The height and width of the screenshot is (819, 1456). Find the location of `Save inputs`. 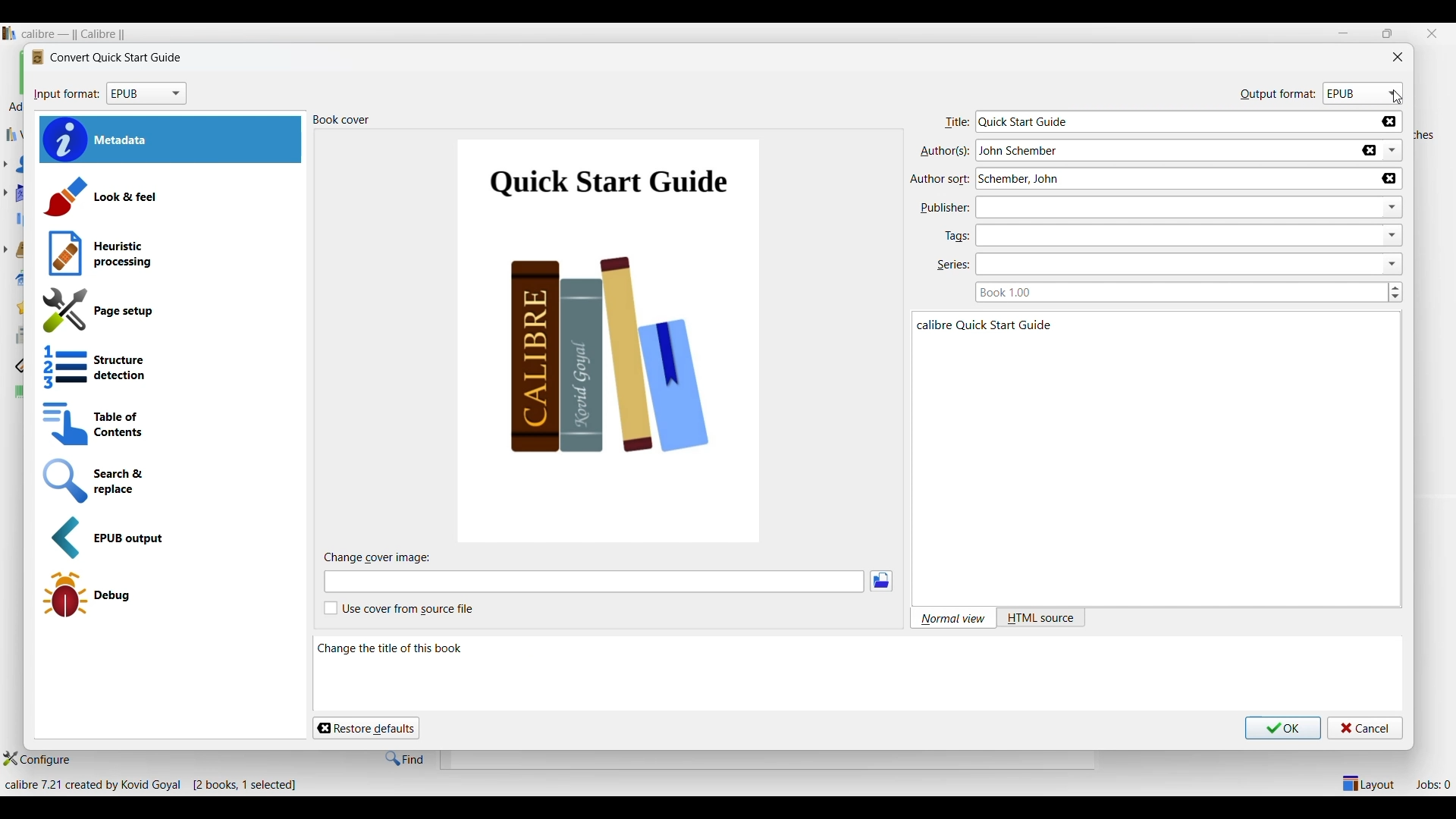

Save inputs is located at coordinates (1283, 729).